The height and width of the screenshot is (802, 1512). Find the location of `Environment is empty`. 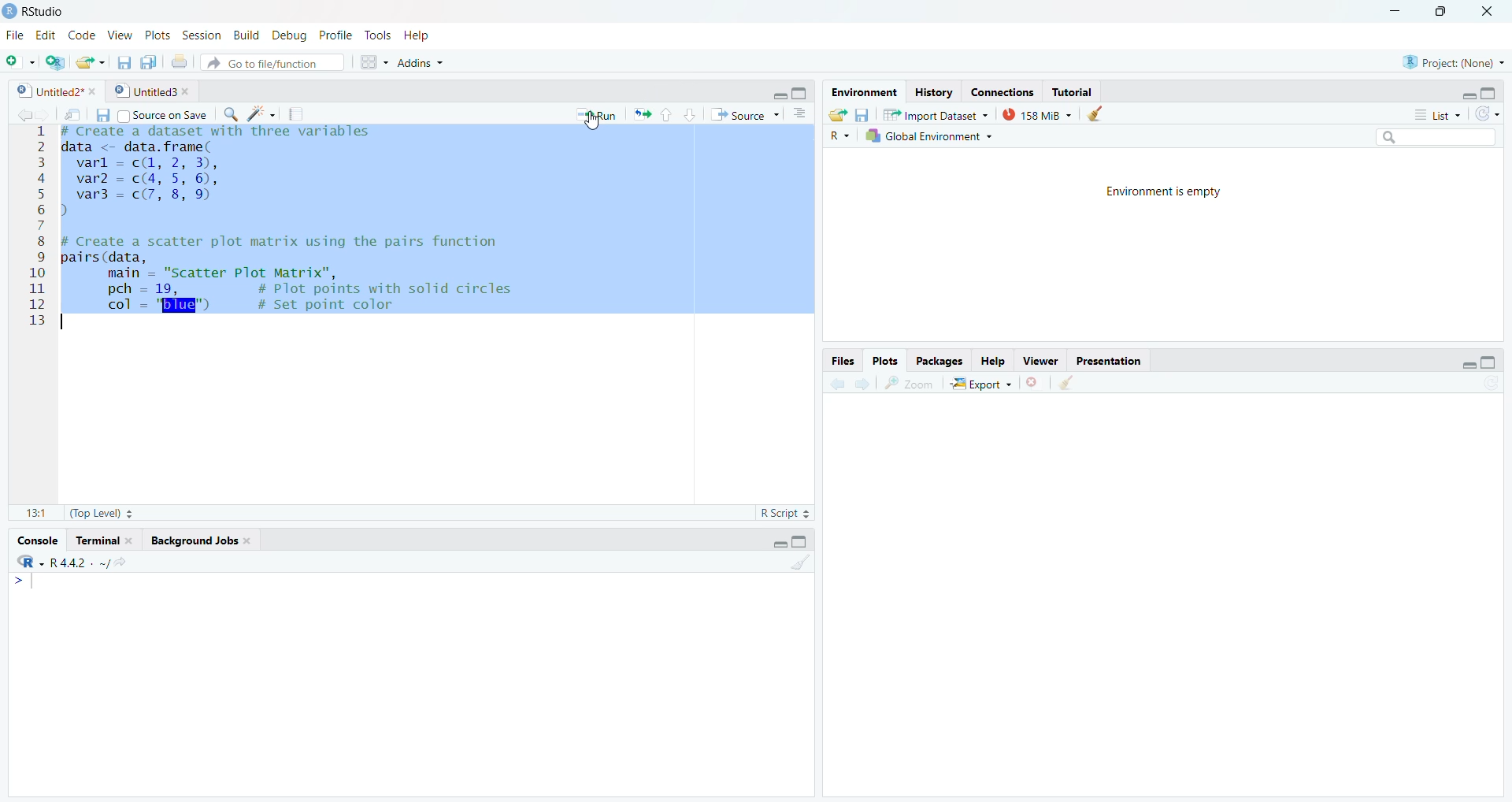

Environment is empty is located at coordinates (1161, 245).